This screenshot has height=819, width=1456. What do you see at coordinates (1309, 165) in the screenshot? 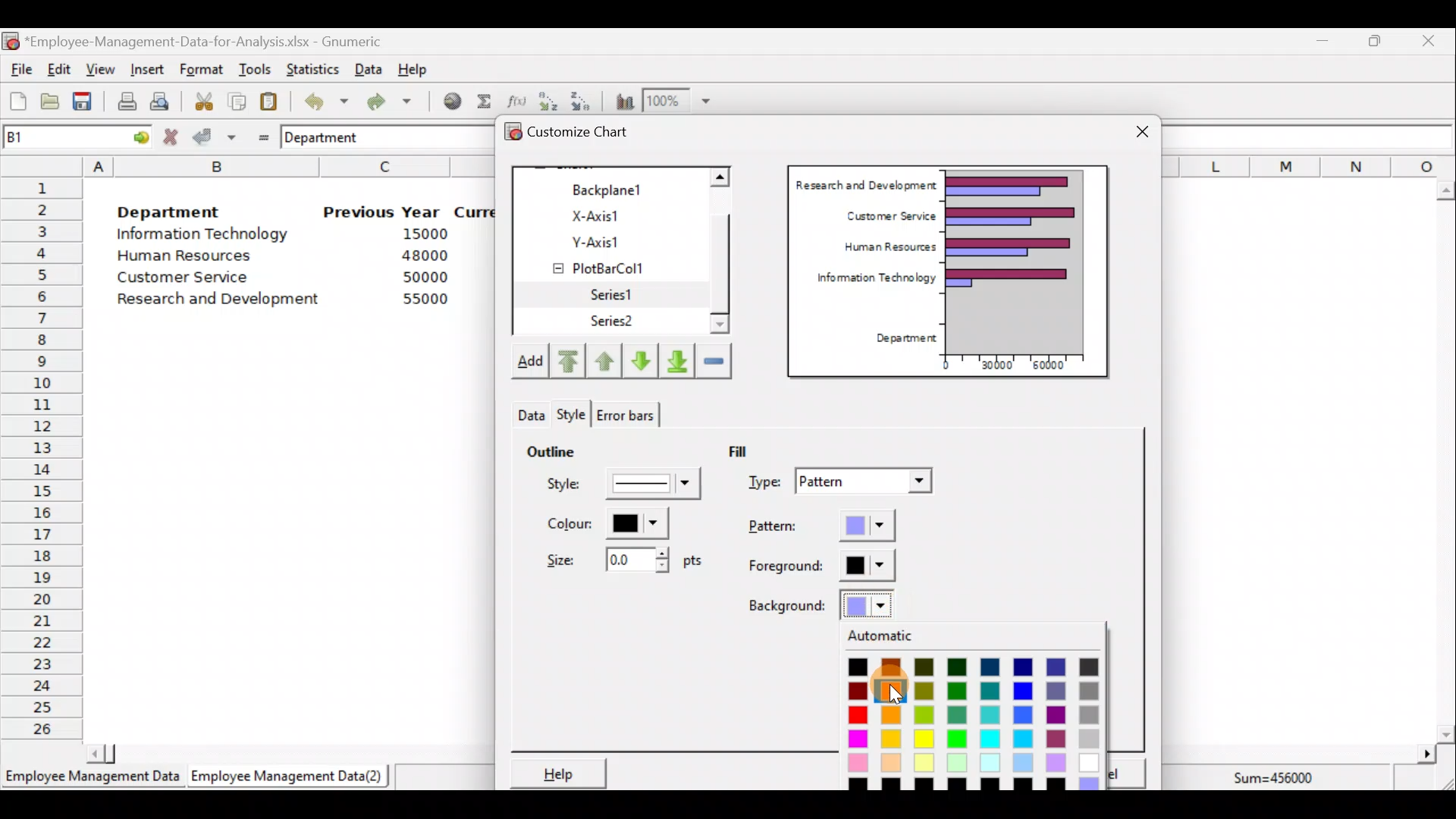
I see `Columns` at bounding box center [1309, 165].